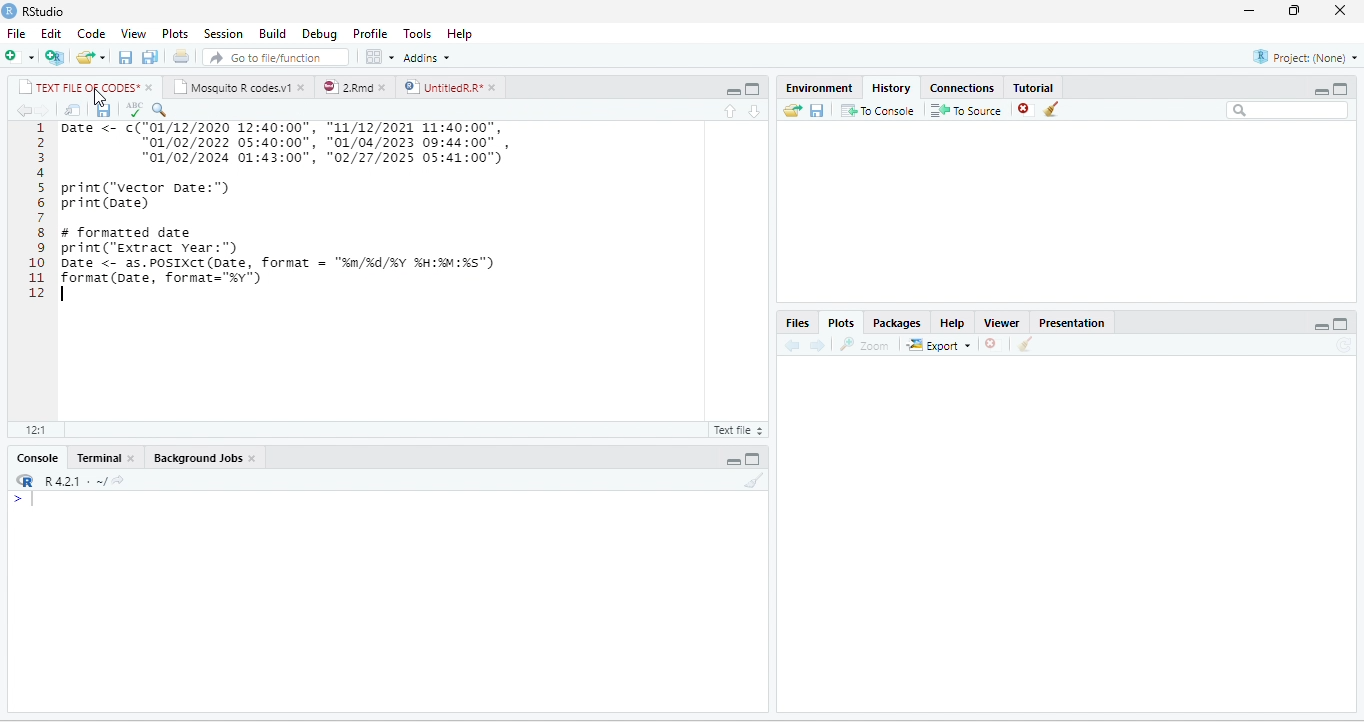 Image resolution: width=1364 pixels, height=722 pixels. What do you see at coordinates (35, 430) in the screenshot?
I see `12:1` at bounding box center [35, 430].